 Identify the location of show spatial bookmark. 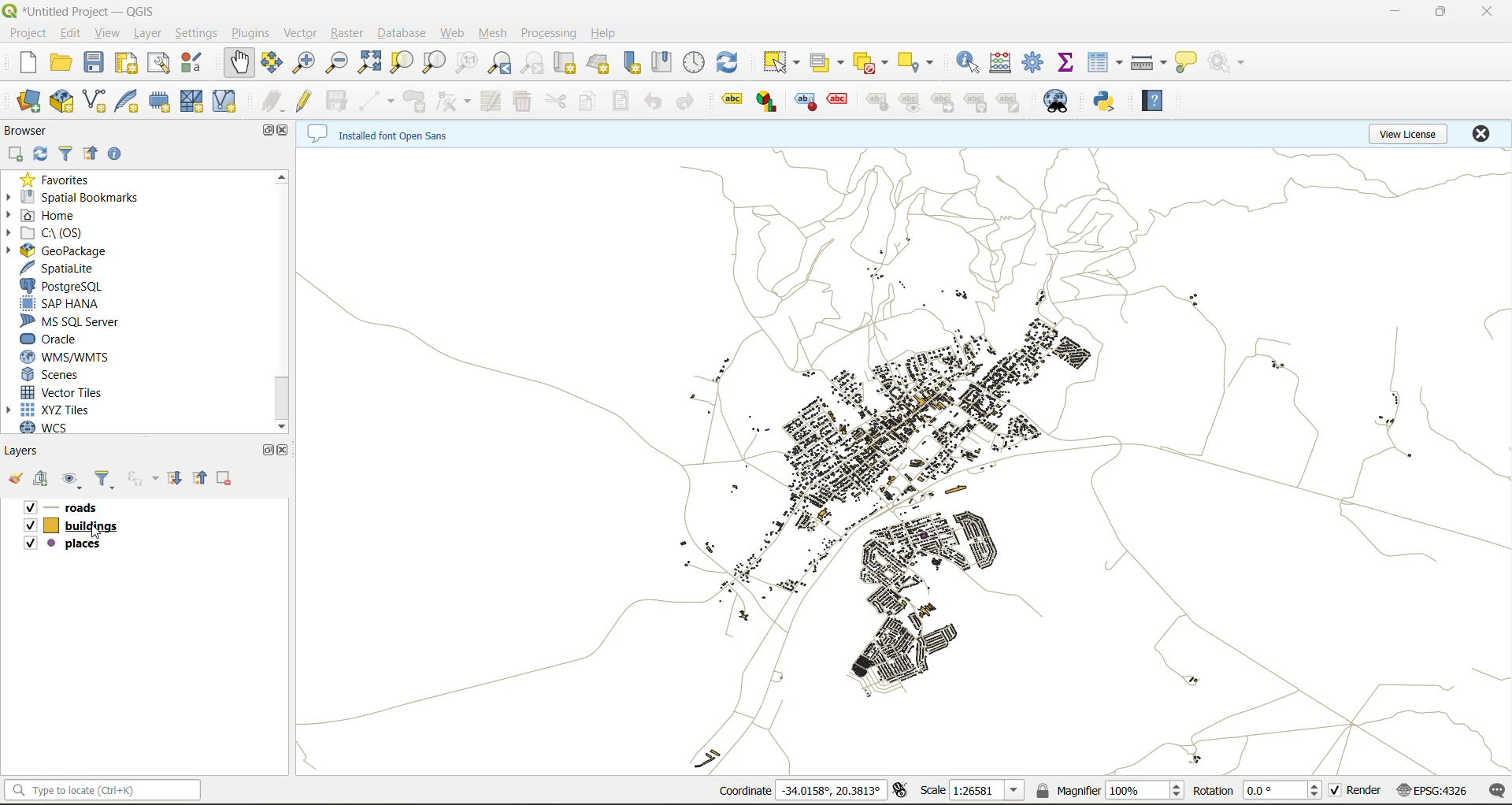
(662, 60).